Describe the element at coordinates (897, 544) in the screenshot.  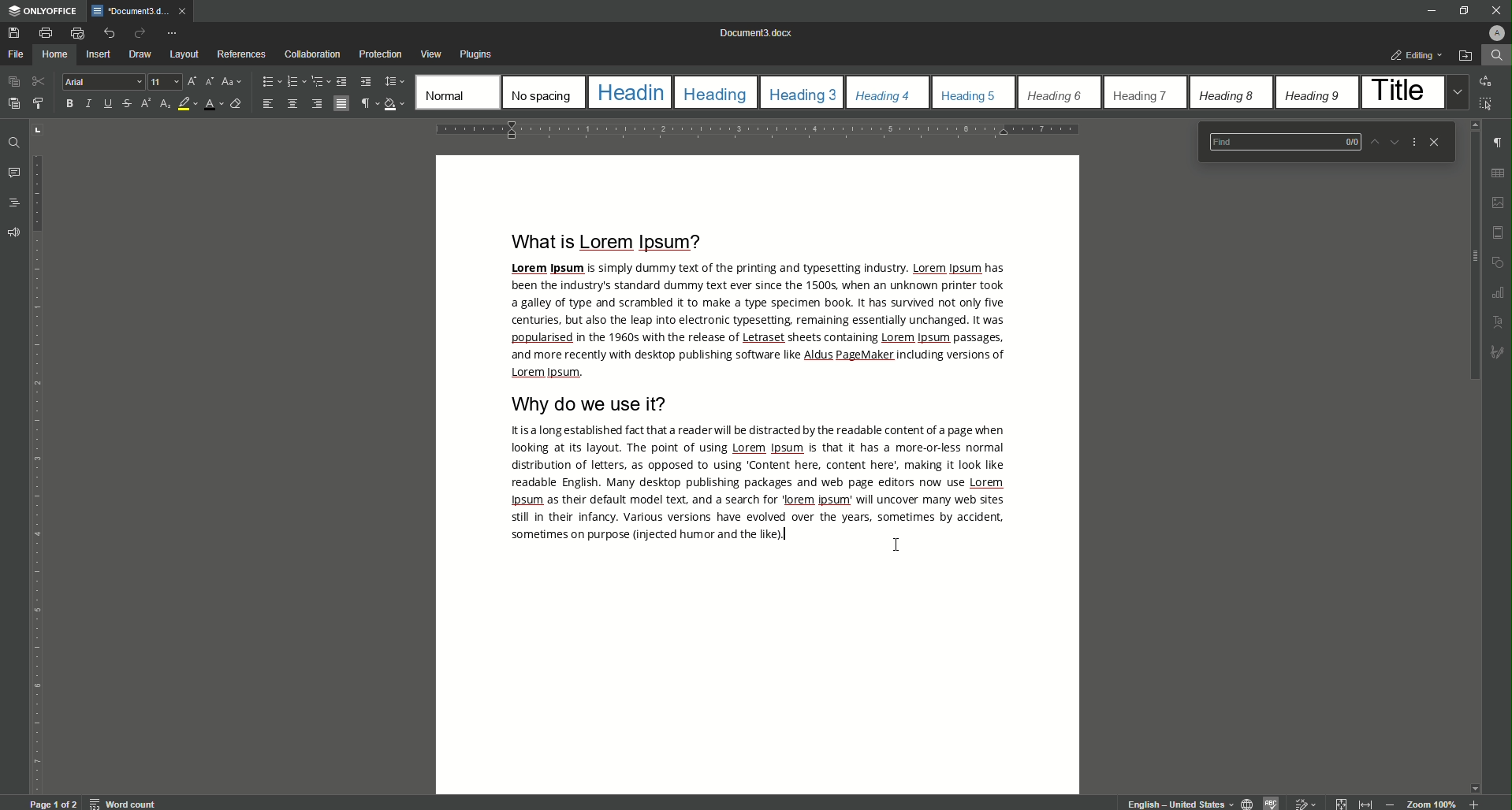
I see `Cursor` at that location.